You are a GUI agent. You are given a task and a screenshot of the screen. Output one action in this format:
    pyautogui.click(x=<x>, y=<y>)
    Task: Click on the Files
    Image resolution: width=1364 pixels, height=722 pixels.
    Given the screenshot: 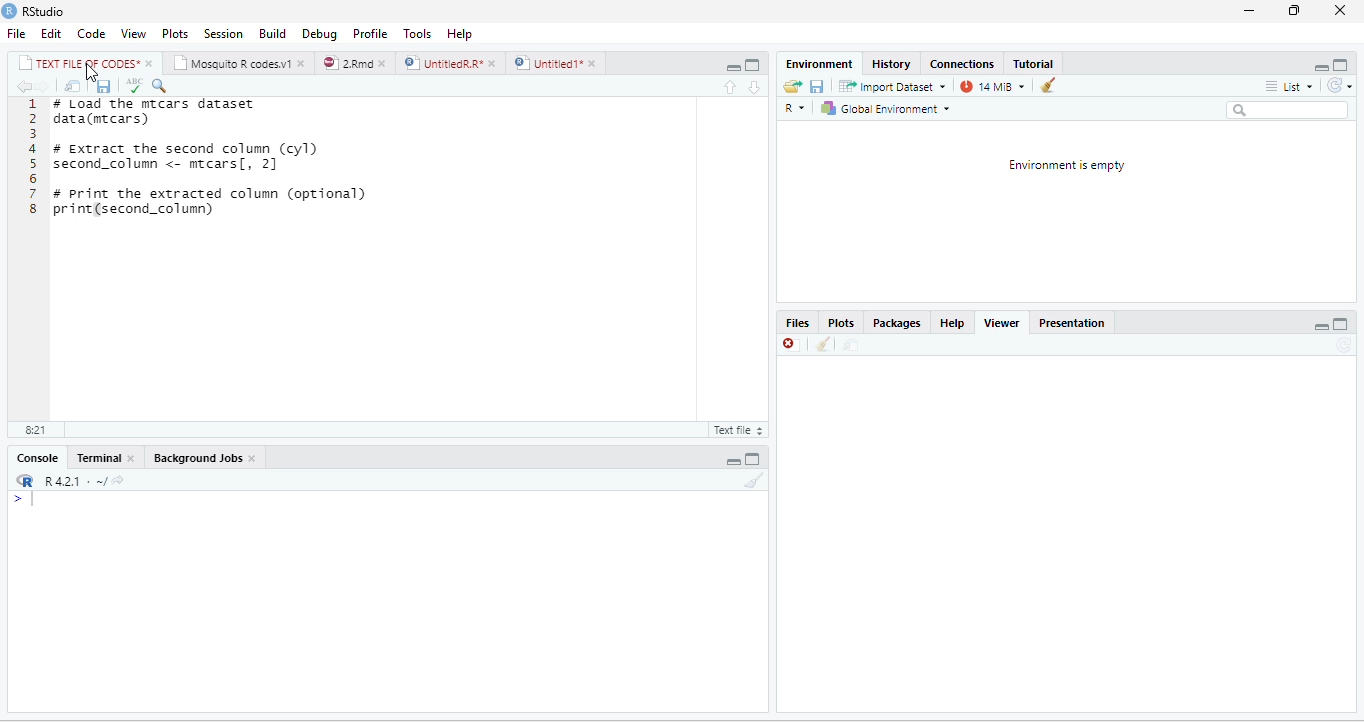 What is the action you would take?
    pyautogui.click(x=798, y=324)
    